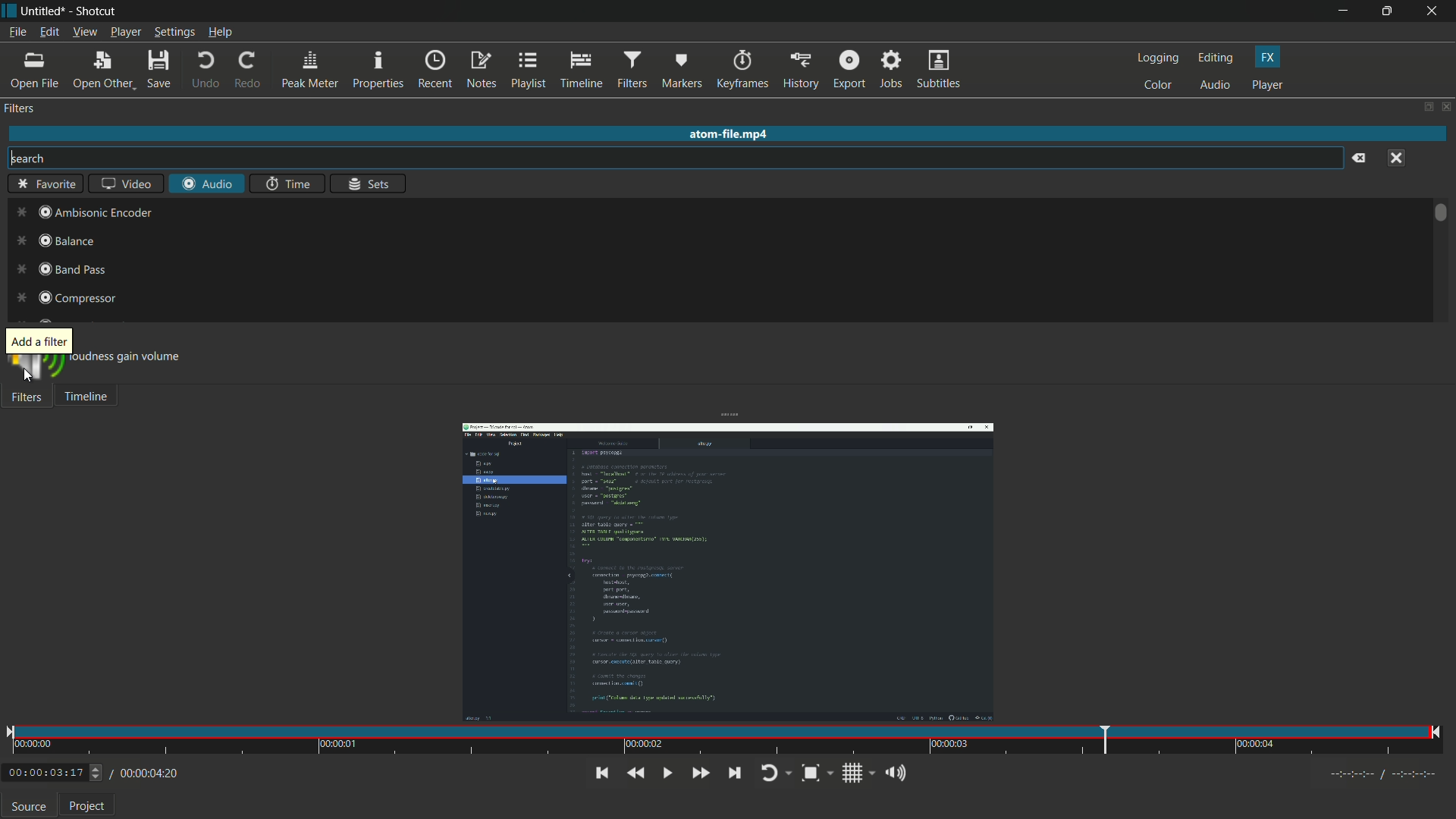  Describe the element at coordinates (941, 71) in the screenshot. I see `subtitles` at that location.